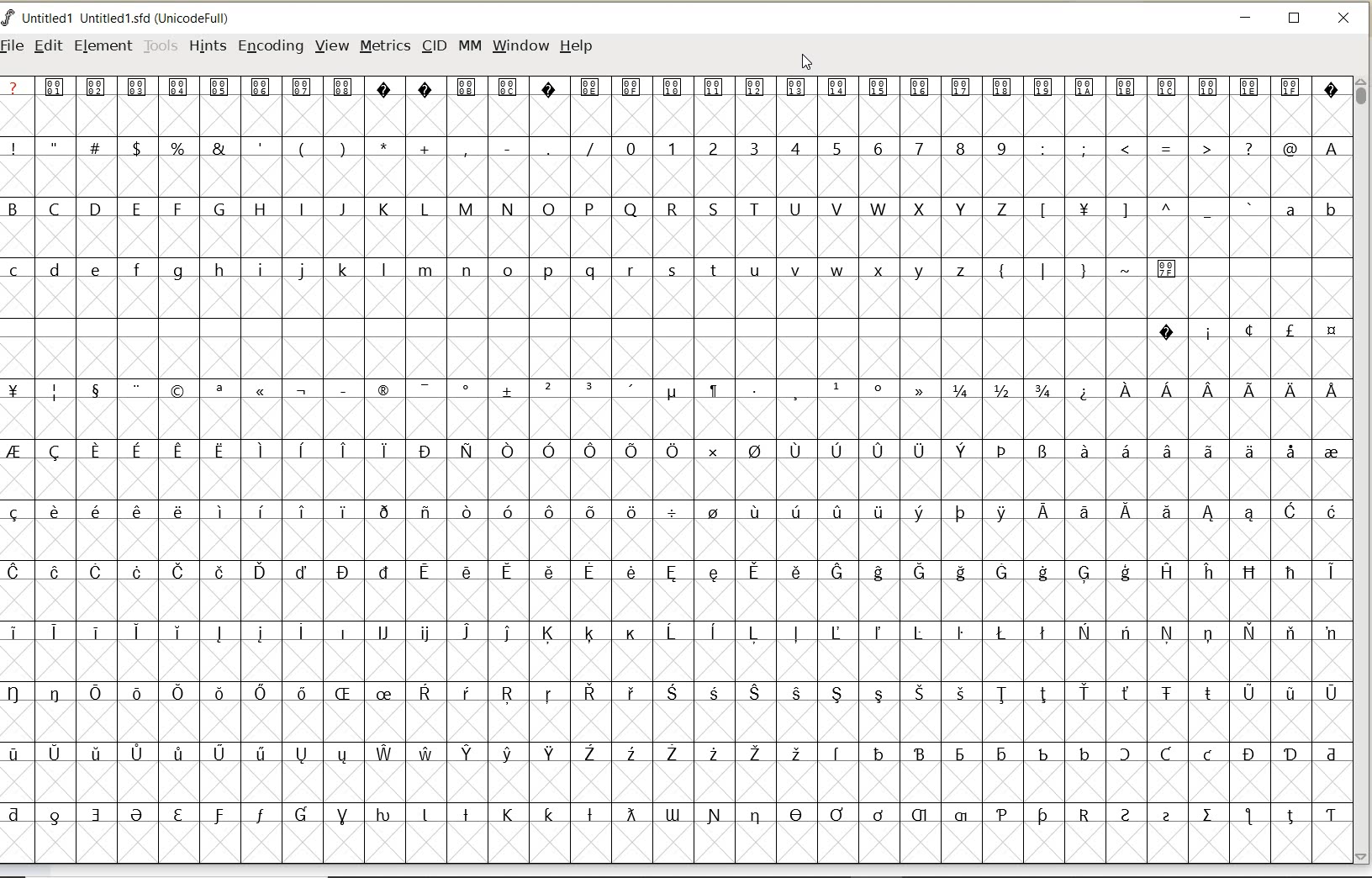 The image size is (1372, 878). Describe the element at coordinates (470, 46) in the screenshot. I see `MM` at that location.